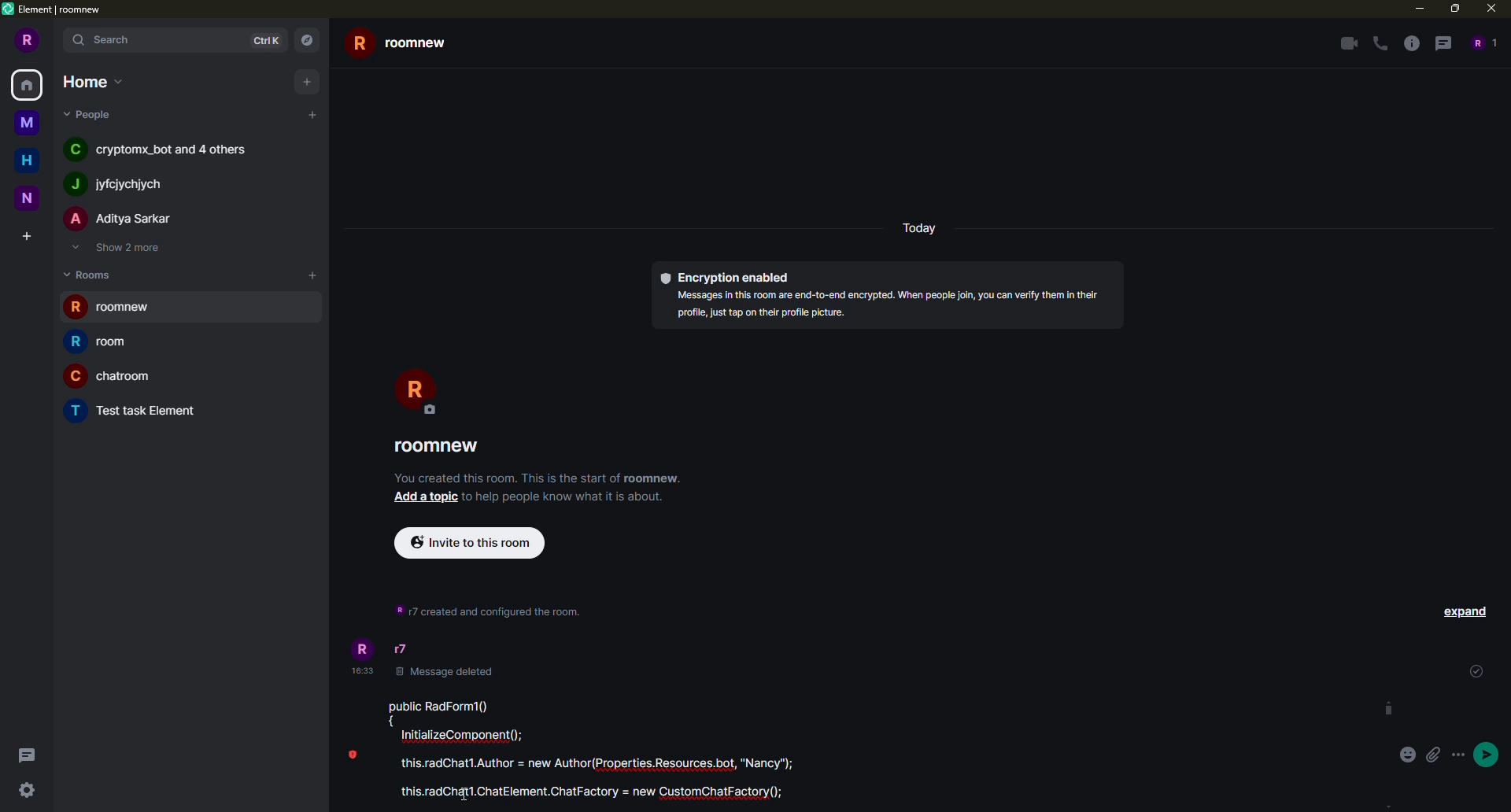  Describe the element at coordinates (53, 8) in the screenshot. I see `element` at that location.